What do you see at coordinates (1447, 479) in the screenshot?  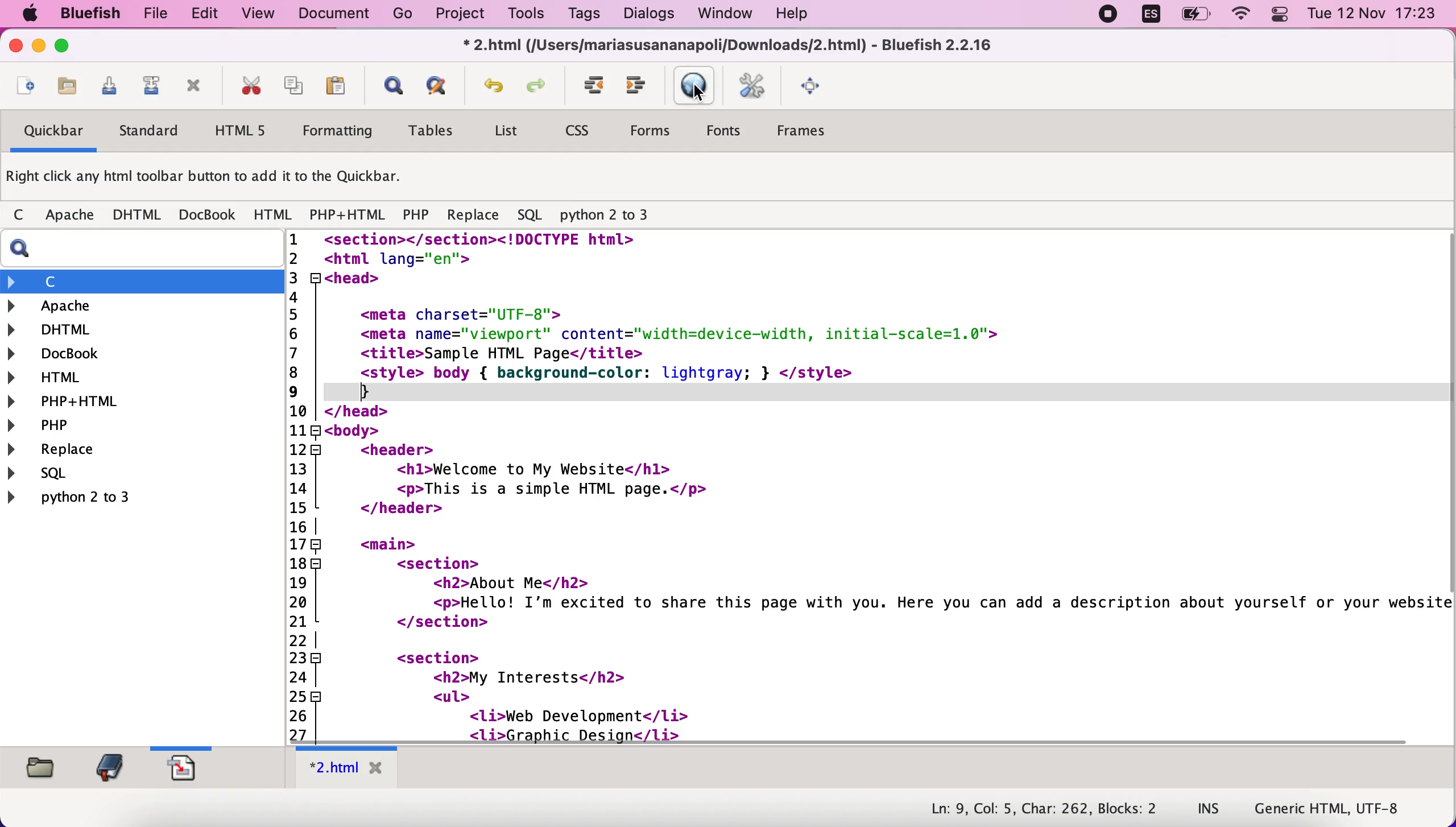 I see `scroll bar` at bounding box center [1447, 479].